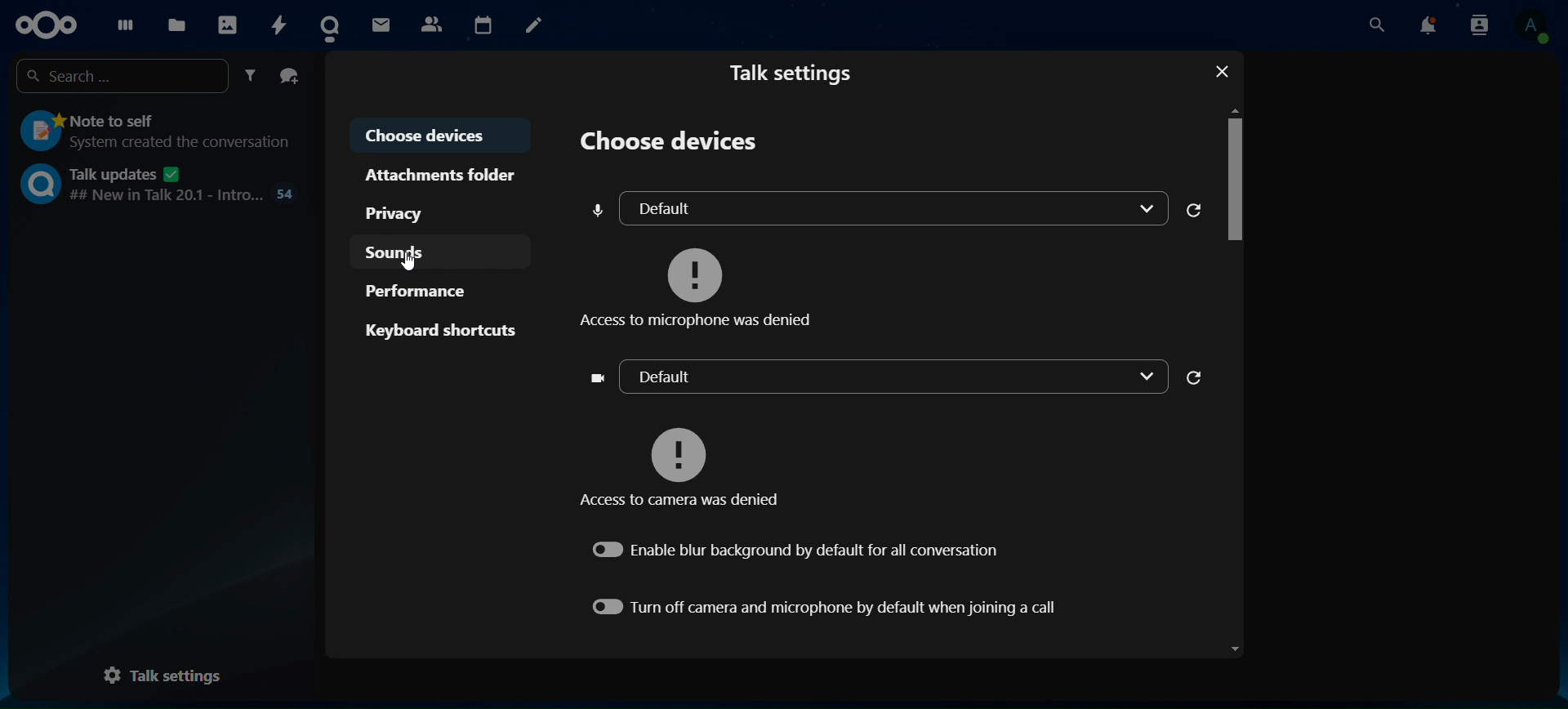 This screenshot has width=1568, height=709. I want to click on logo, so click(47, 25).